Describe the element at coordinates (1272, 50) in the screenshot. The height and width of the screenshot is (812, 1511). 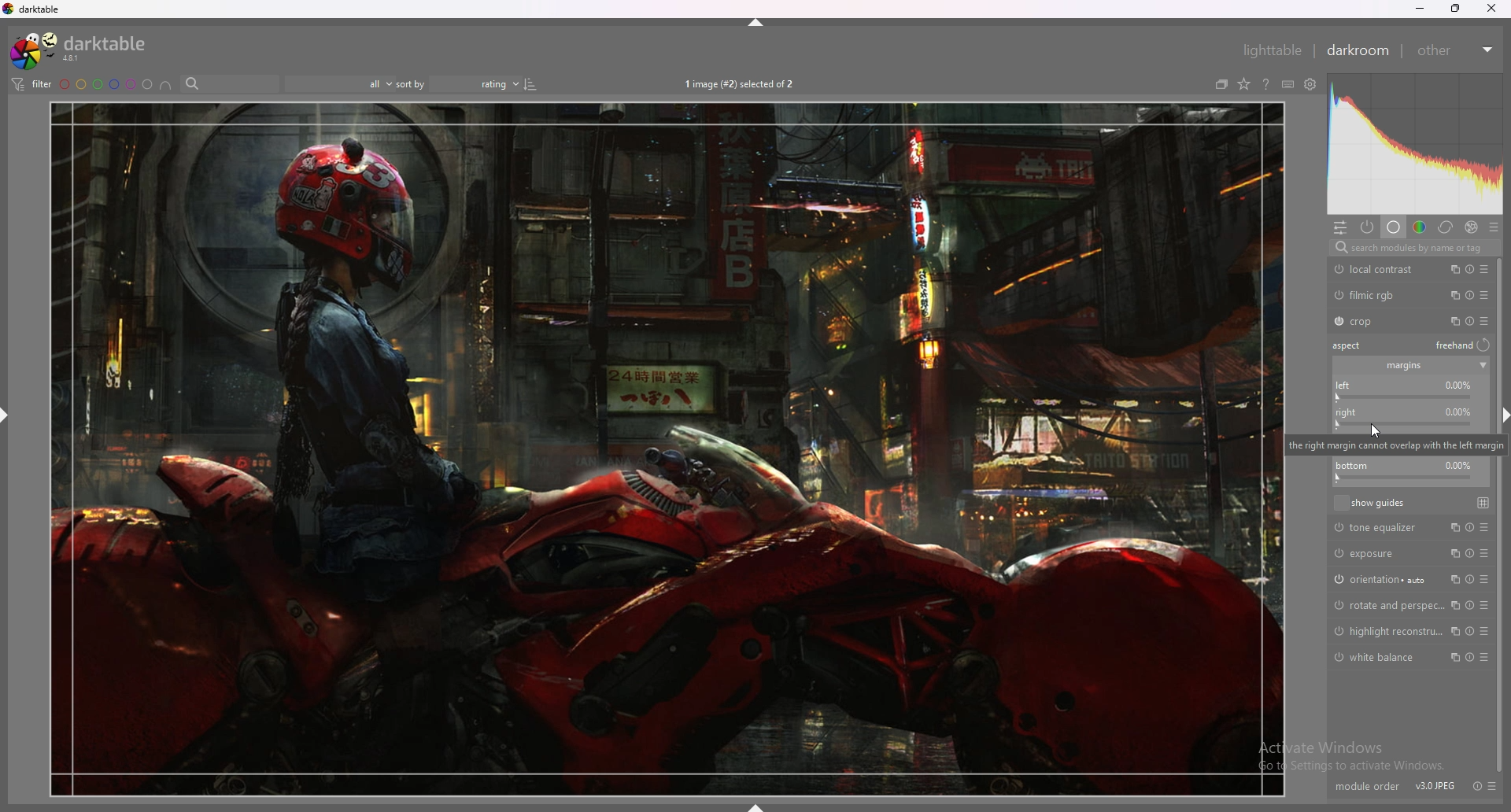
I see `lighttable` at that location.